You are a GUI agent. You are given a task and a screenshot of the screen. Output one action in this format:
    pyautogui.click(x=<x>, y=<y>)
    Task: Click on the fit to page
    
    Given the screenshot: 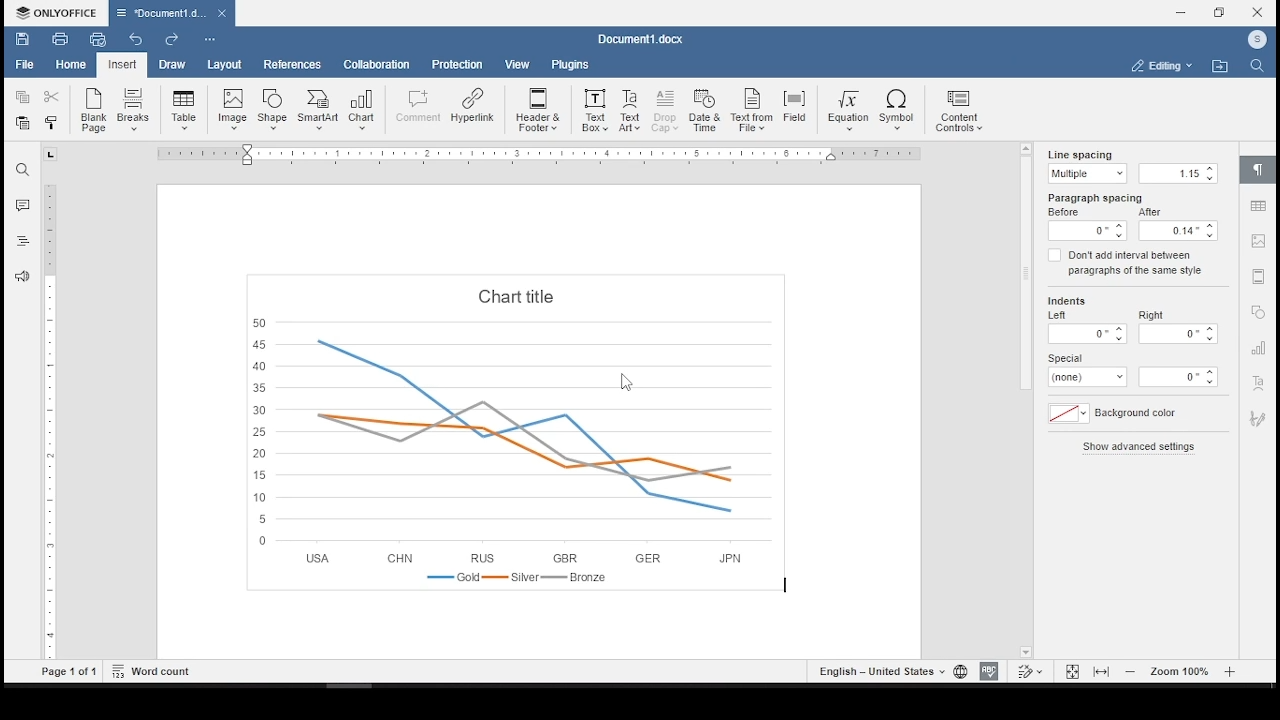 What is the action you would take?
    pyautogui.click(x=1072, y=671)
    